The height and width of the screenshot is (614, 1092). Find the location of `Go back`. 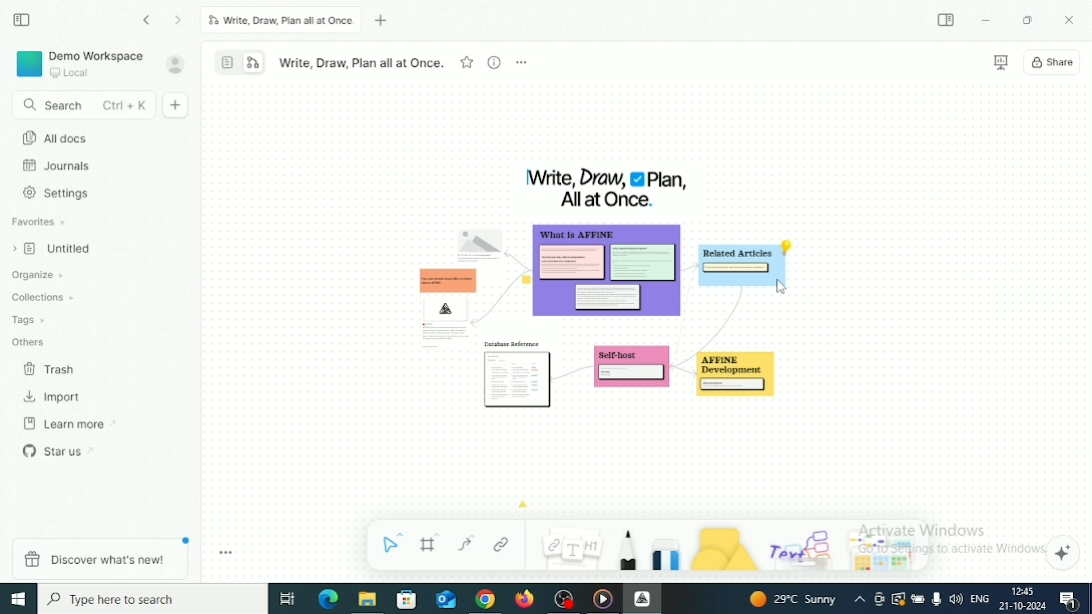

Go back is located at coordinates (148, 20).